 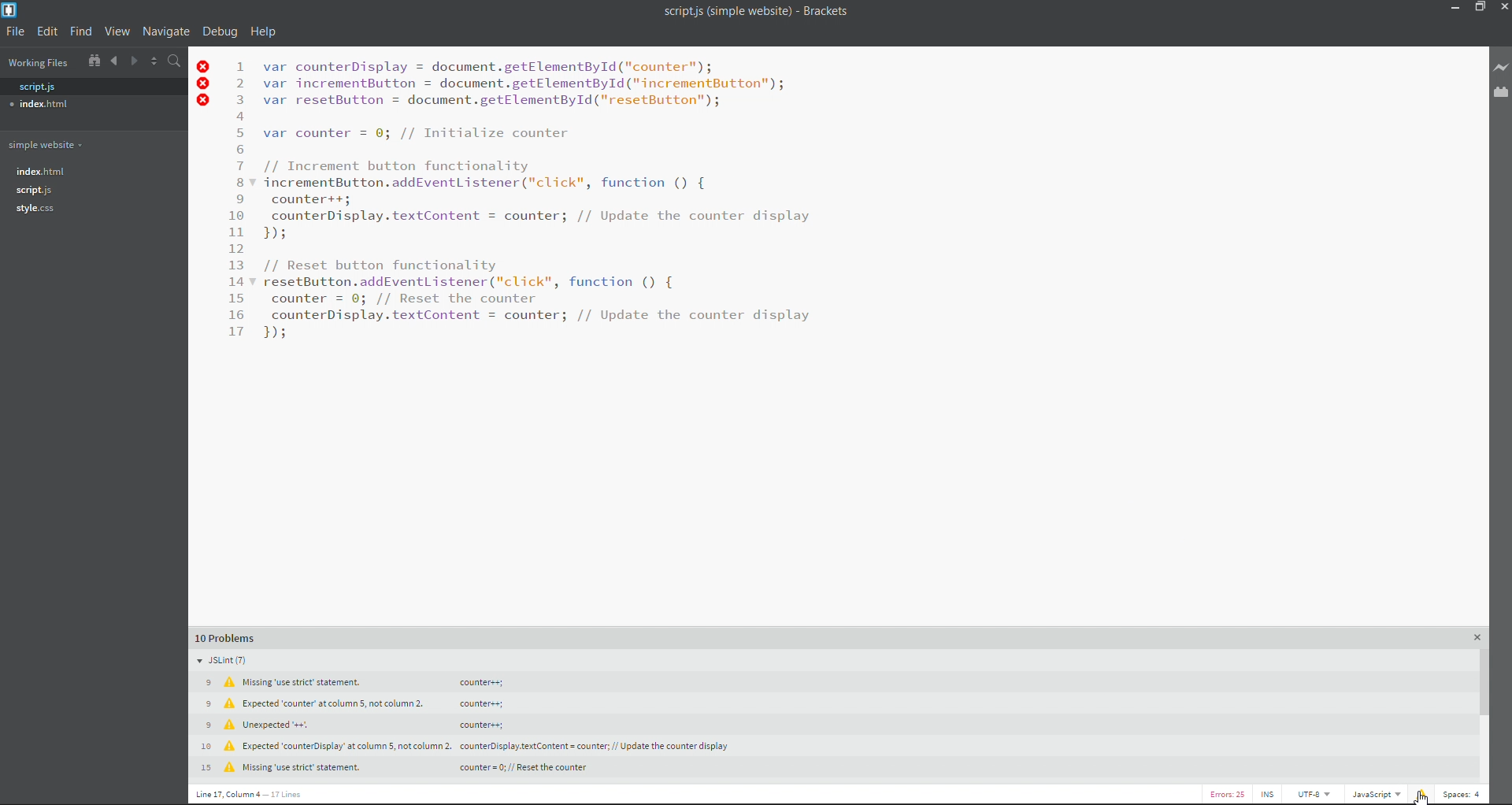 I want to click on help, so click(x=265, y=30).